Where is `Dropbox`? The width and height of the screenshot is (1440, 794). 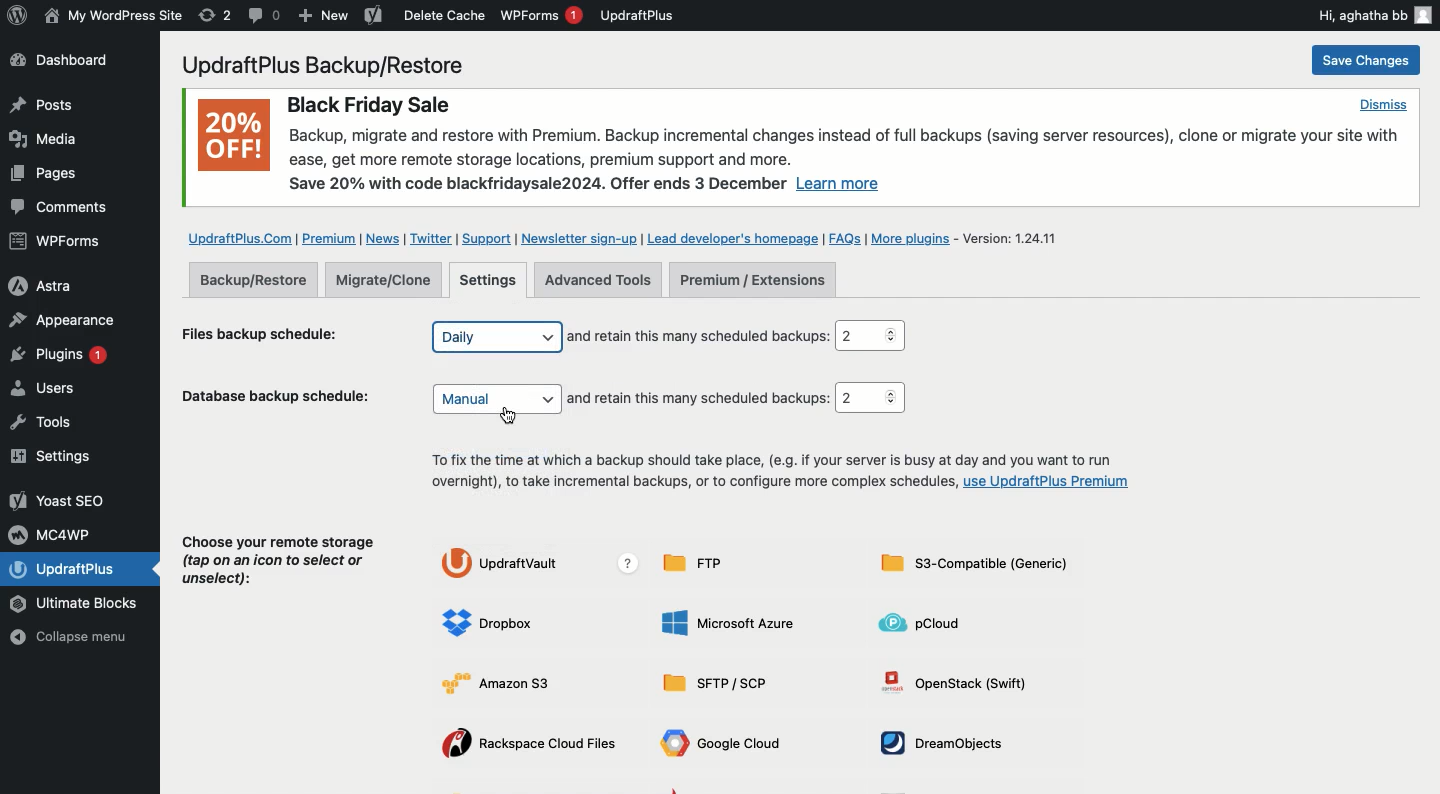
Dropbox is located at coordinates (493, 624).